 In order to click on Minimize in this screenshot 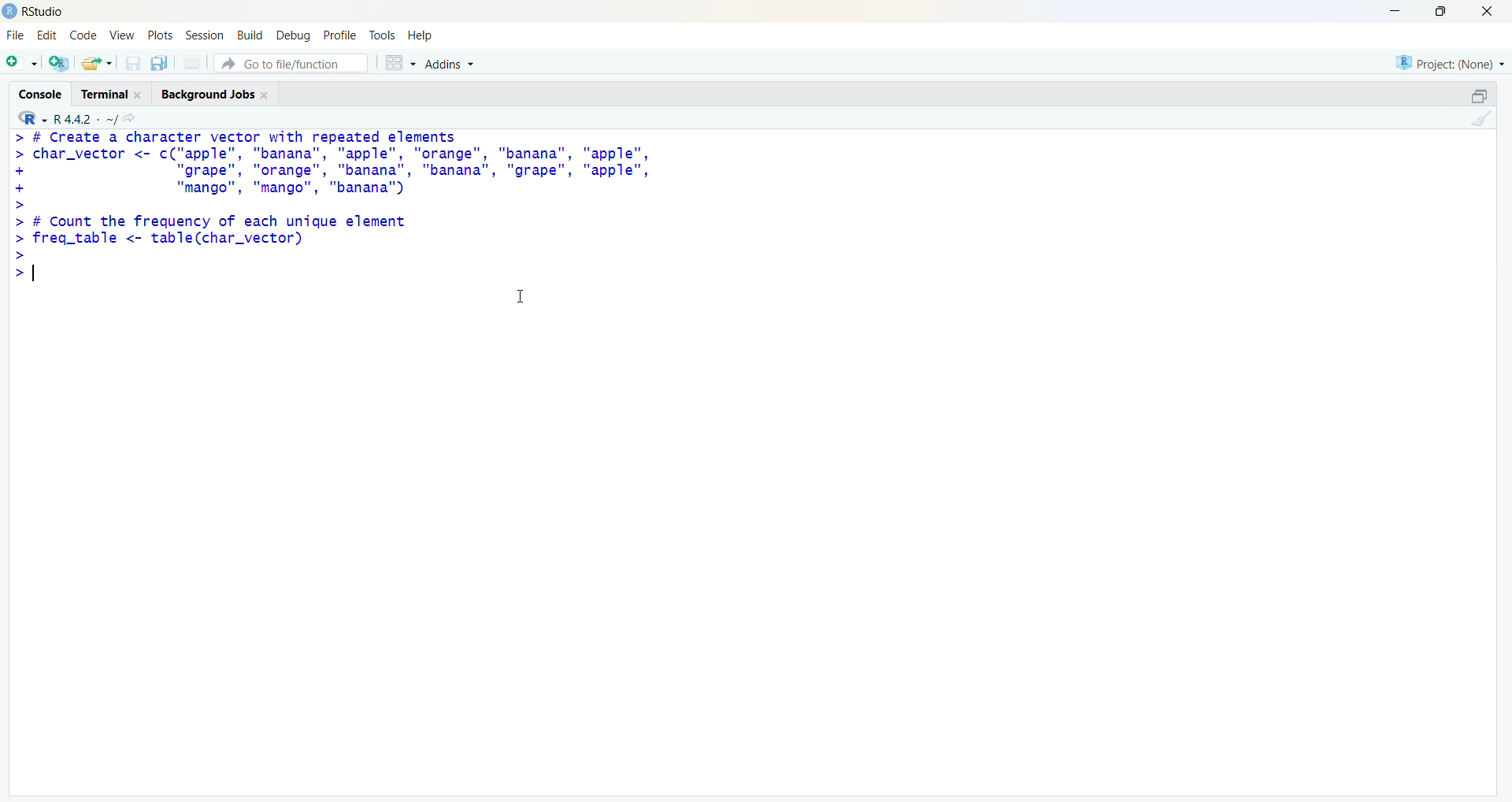, I will do `click(1389, 13)`.